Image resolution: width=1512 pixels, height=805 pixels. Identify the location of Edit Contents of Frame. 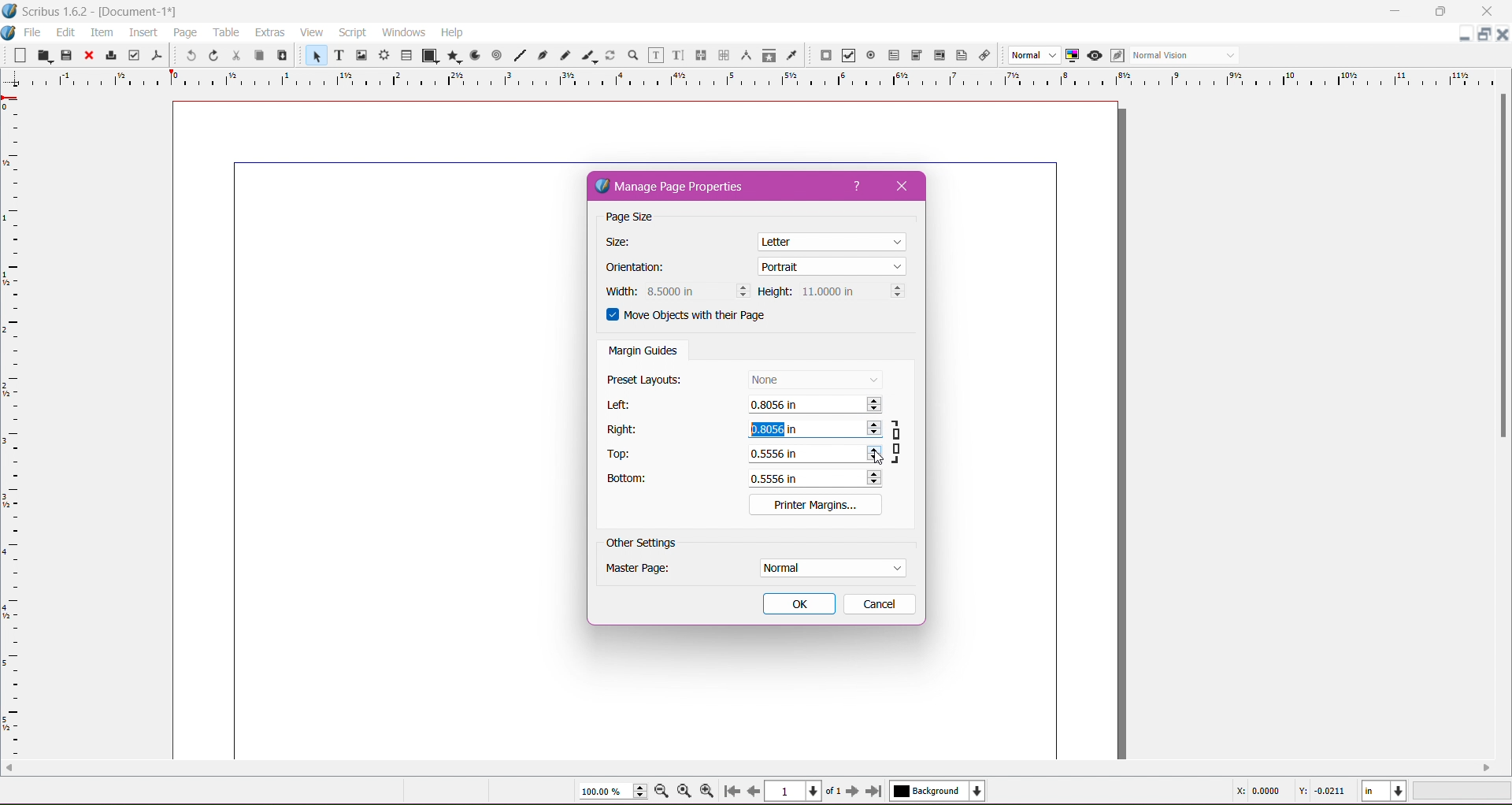
(654, 56).